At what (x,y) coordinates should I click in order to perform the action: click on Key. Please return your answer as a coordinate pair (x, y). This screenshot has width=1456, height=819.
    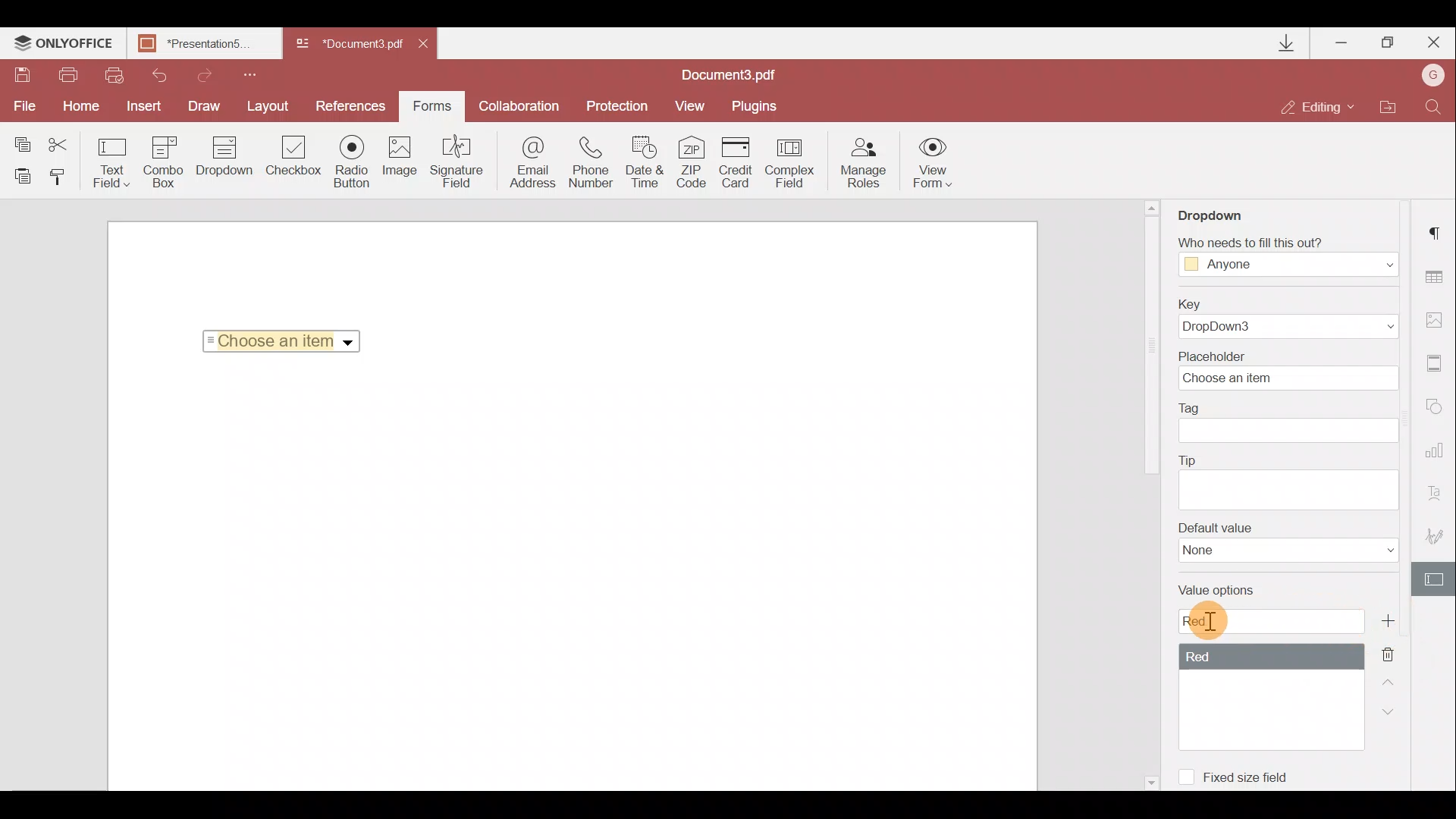
    Looking at the image, I should click on (1292, 317).